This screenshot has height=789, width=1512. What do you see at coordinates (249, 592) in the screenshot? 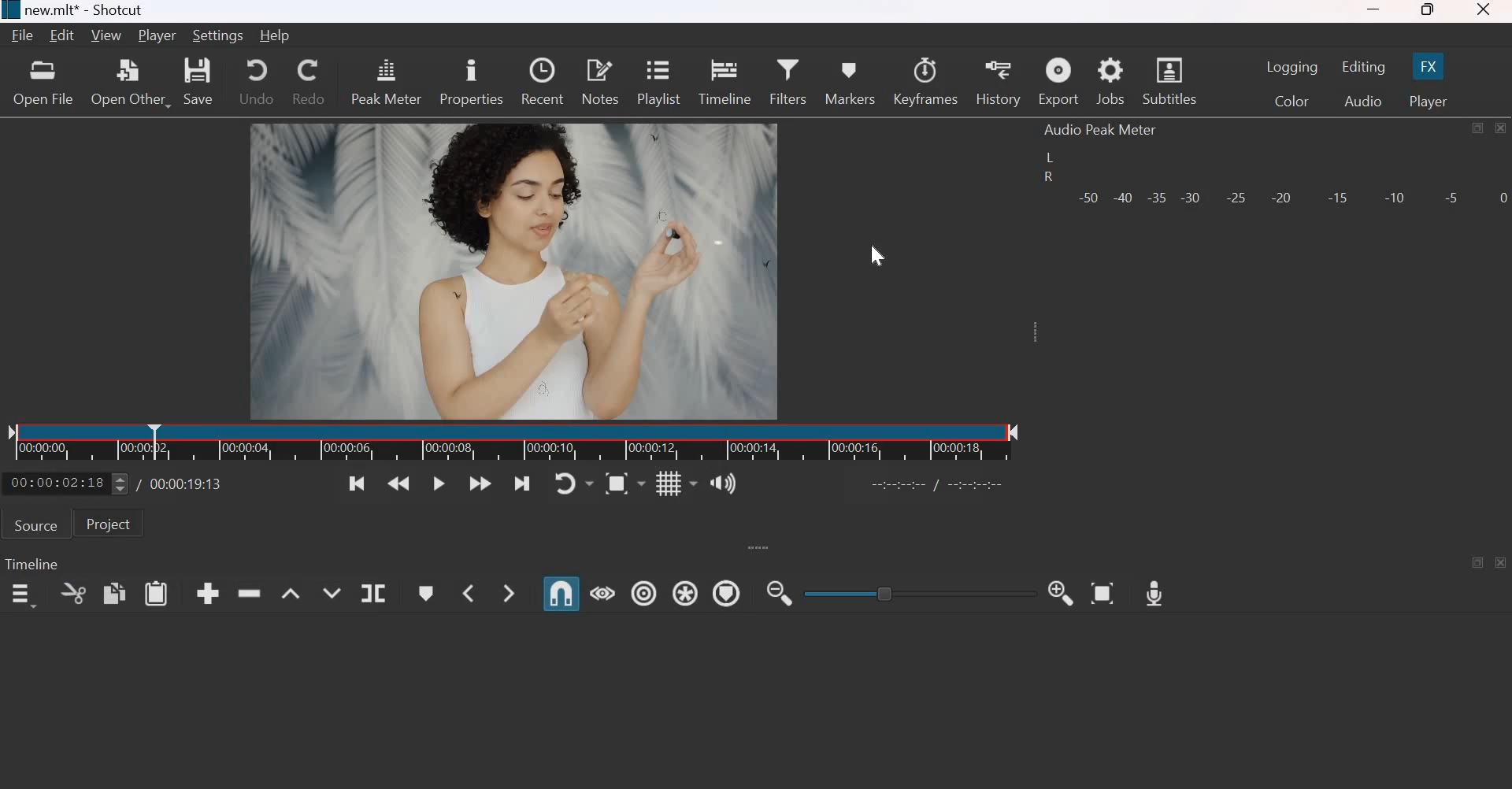
I see `ripple delete` at bounding box center [249, 592].